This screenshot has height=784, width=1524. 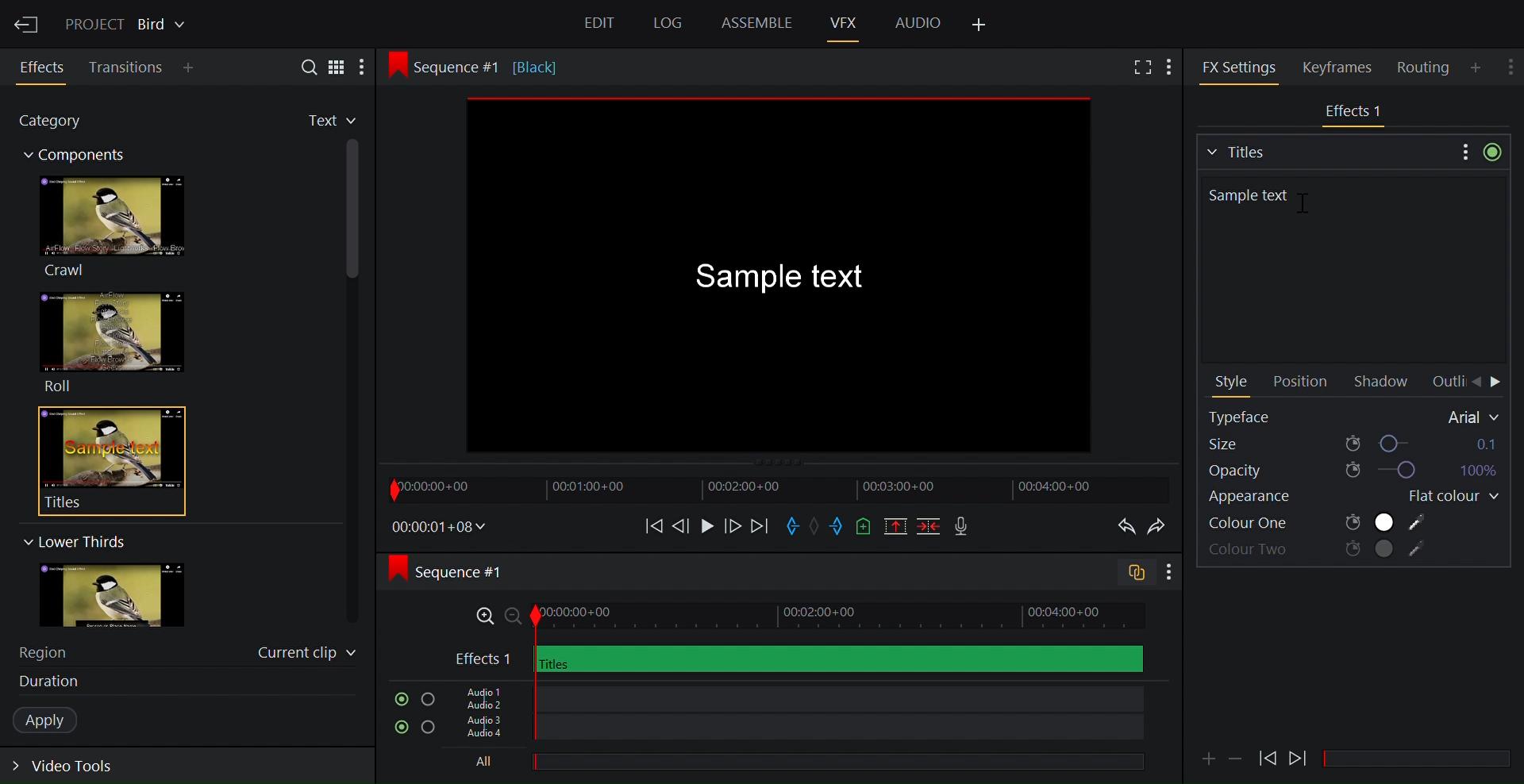 What do you see at coordinates (110, 226) in the screenshot?
I see `Crawl` at bounding box center [110, 226].